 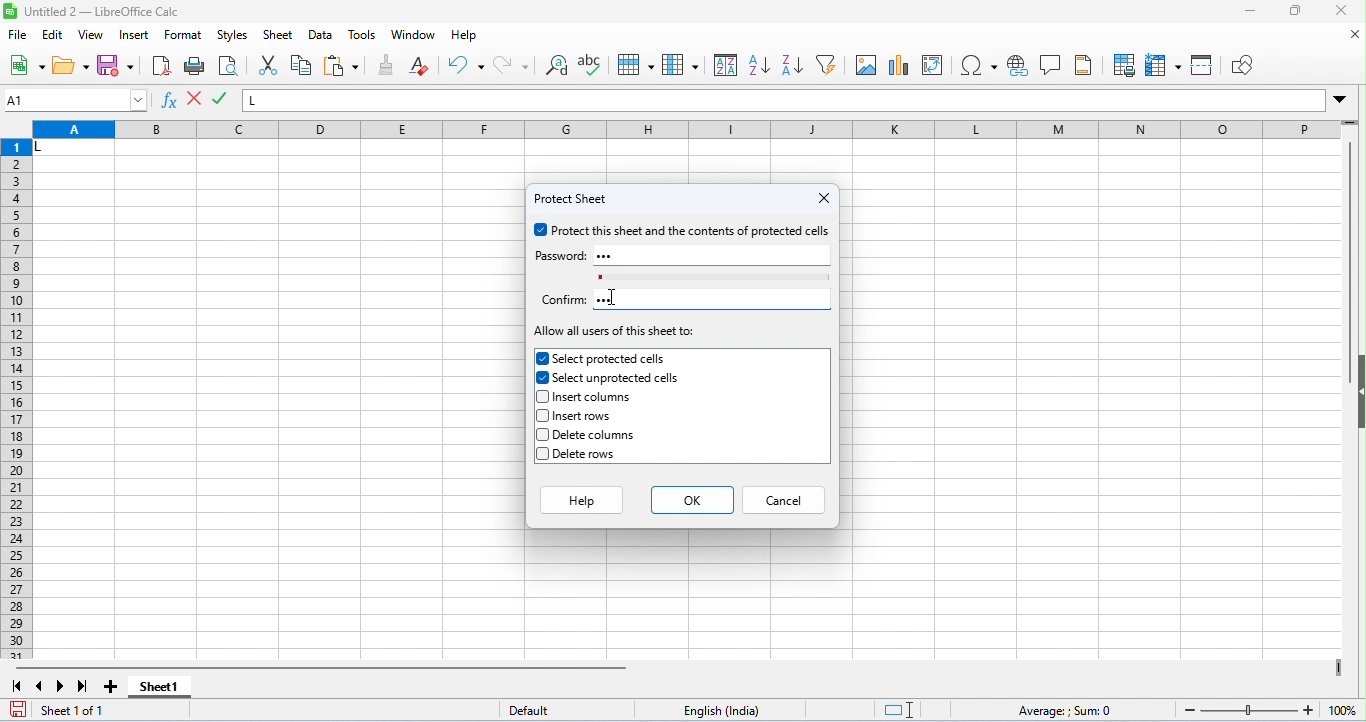 I want to click on insert, so click(x=136, y=36).